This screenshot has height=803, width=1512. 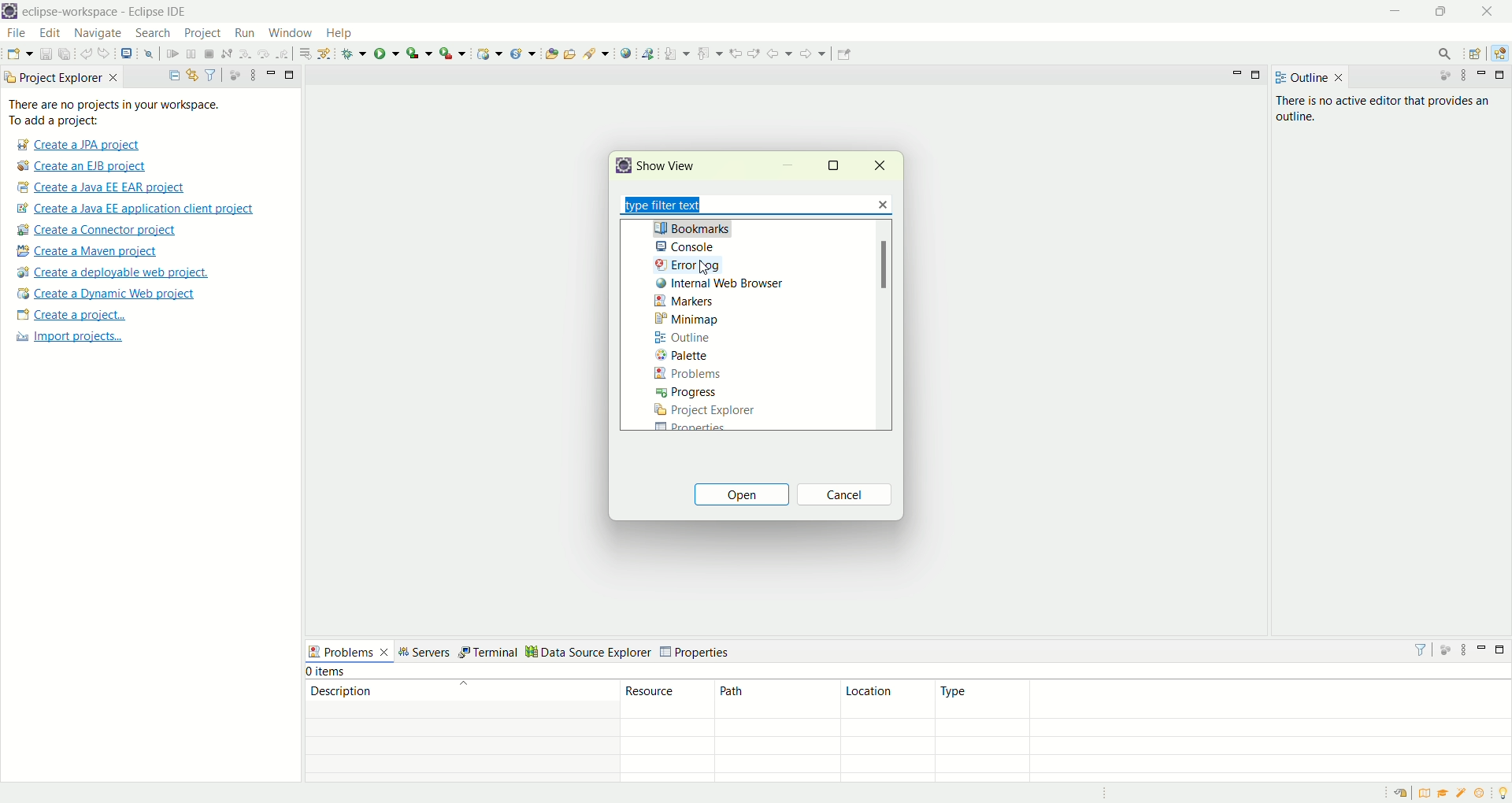 I want to click on open, so click(x=743, y=494).